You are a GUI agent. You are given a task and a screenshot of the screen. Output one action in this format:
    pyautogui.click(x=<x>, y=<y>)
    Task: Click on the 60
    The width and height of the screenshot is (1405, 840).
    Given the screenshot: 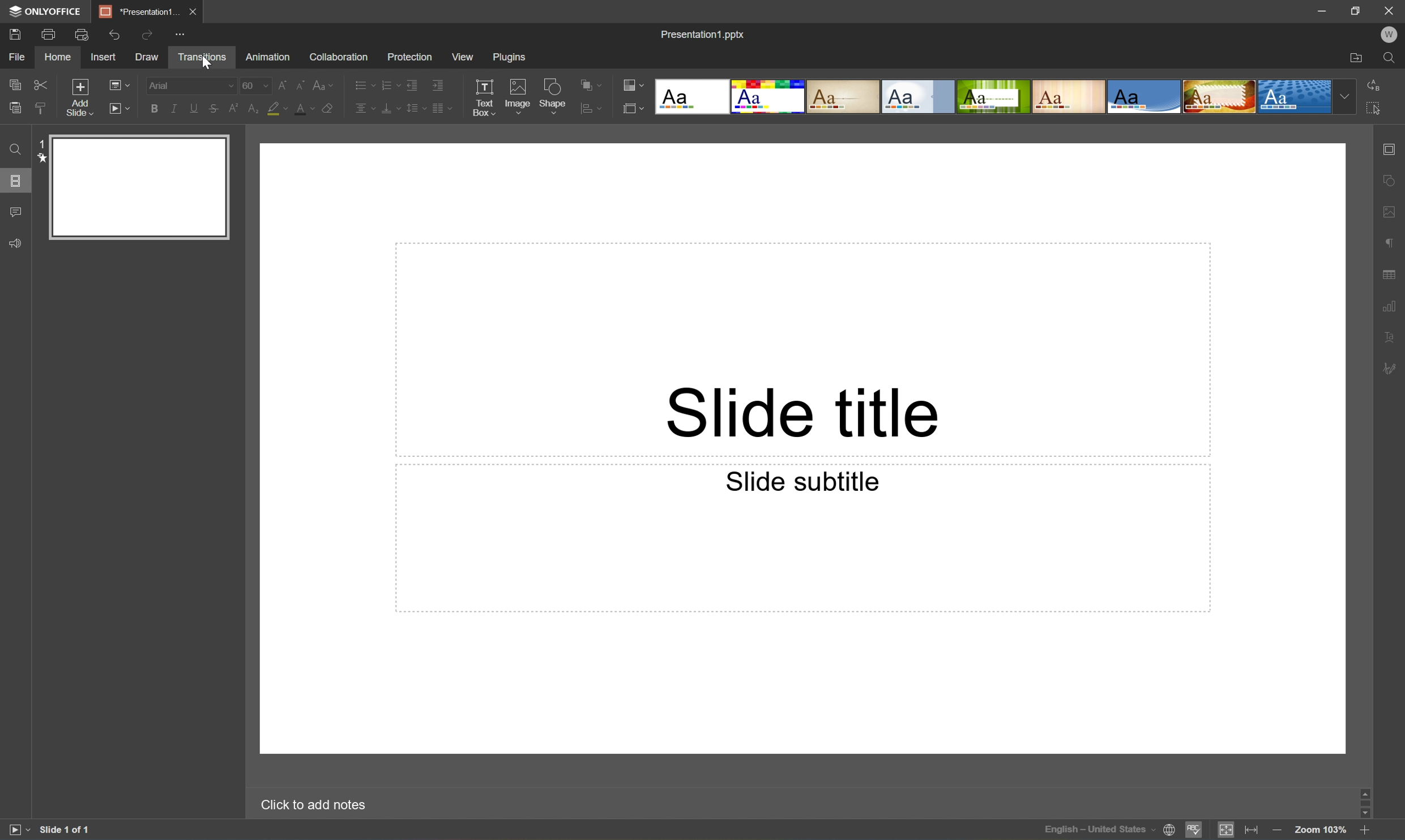 What is the action you would take?
    pyautogui.click(x=255, y=85)
    